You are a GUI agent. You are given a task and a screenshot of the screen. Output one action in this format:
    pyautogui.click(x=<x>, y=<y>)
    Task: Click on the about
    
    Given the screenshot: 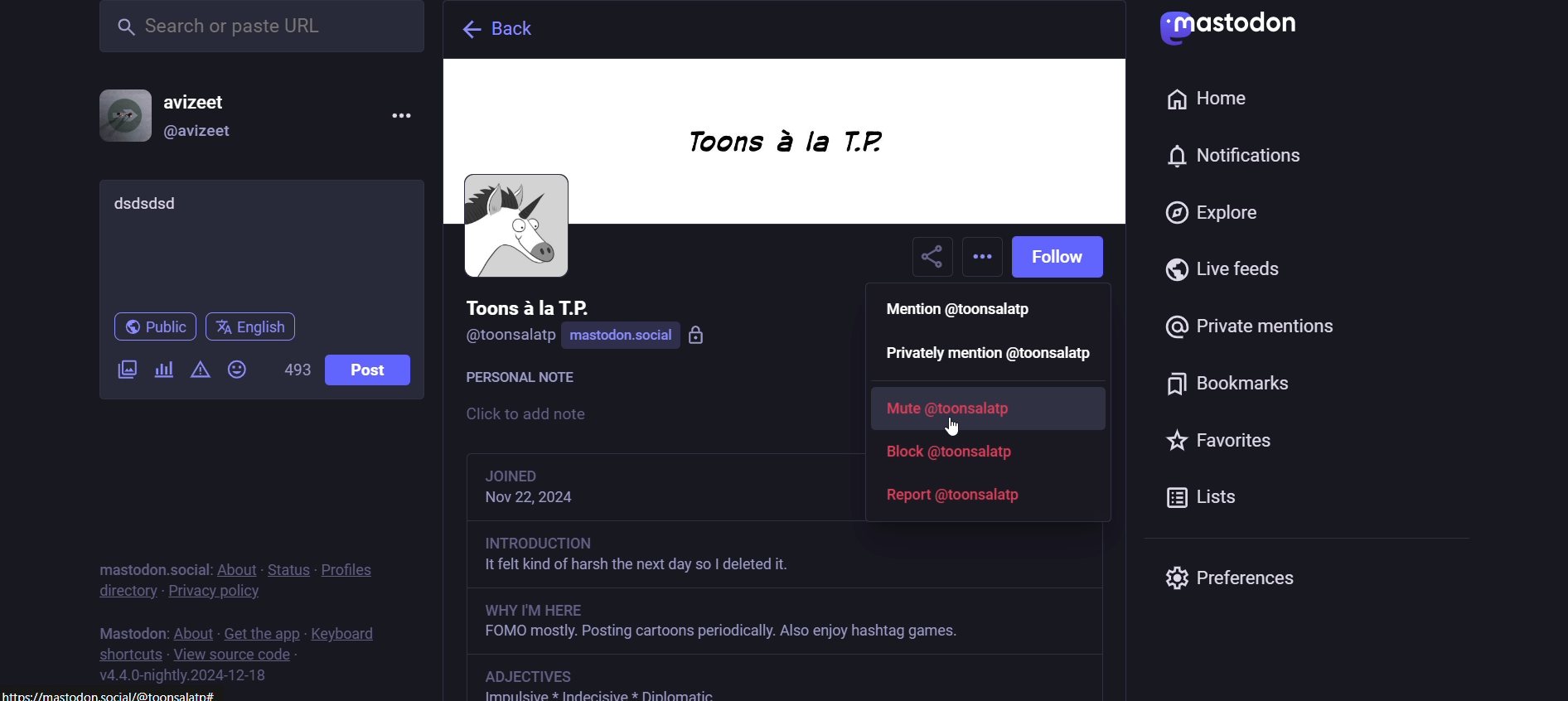 What is the action you would take?
    pyautogui.click(x=236, y=563)
    